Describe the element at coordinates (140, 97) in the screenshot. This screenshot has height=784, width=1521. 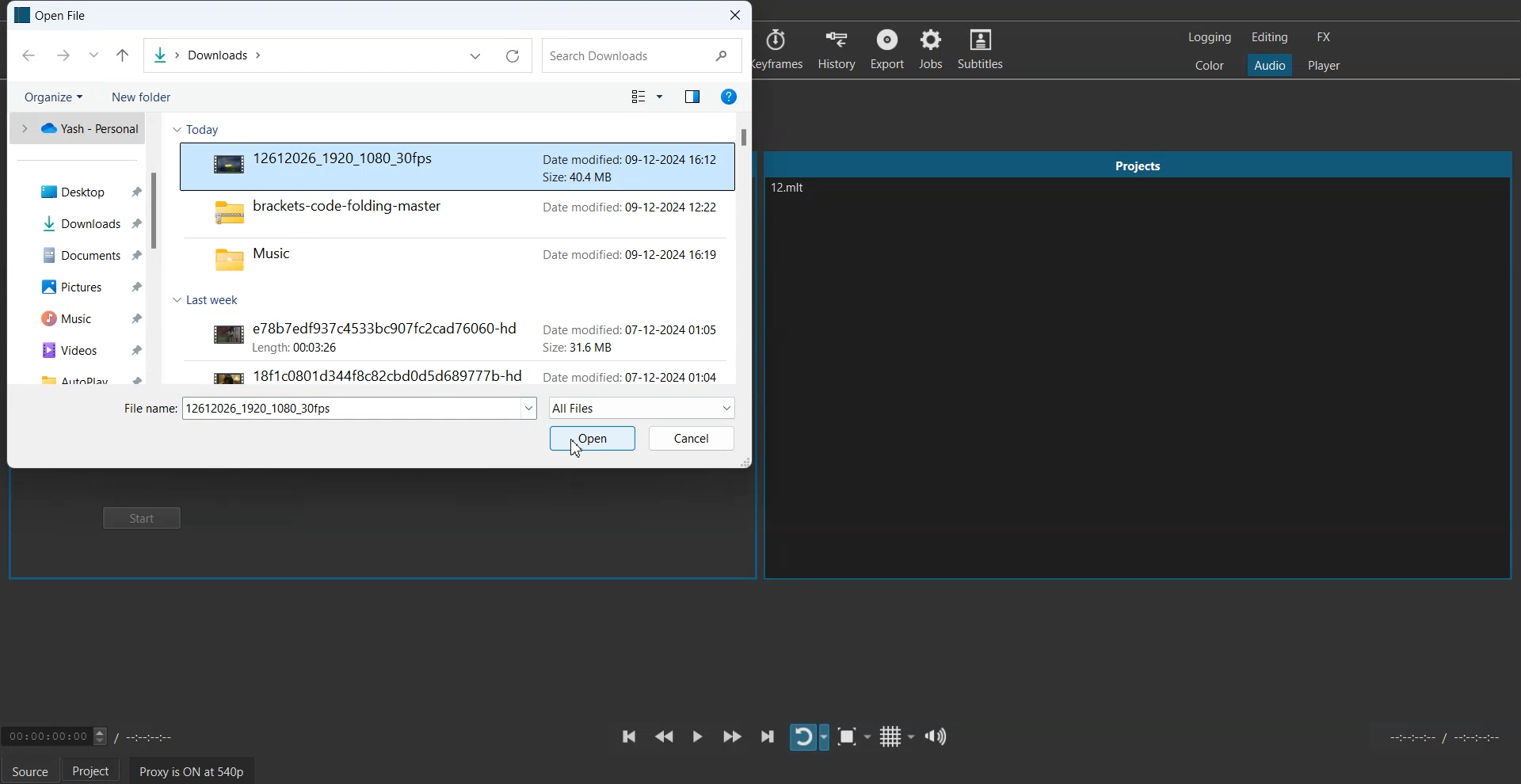
I see `New Folder` at that location.